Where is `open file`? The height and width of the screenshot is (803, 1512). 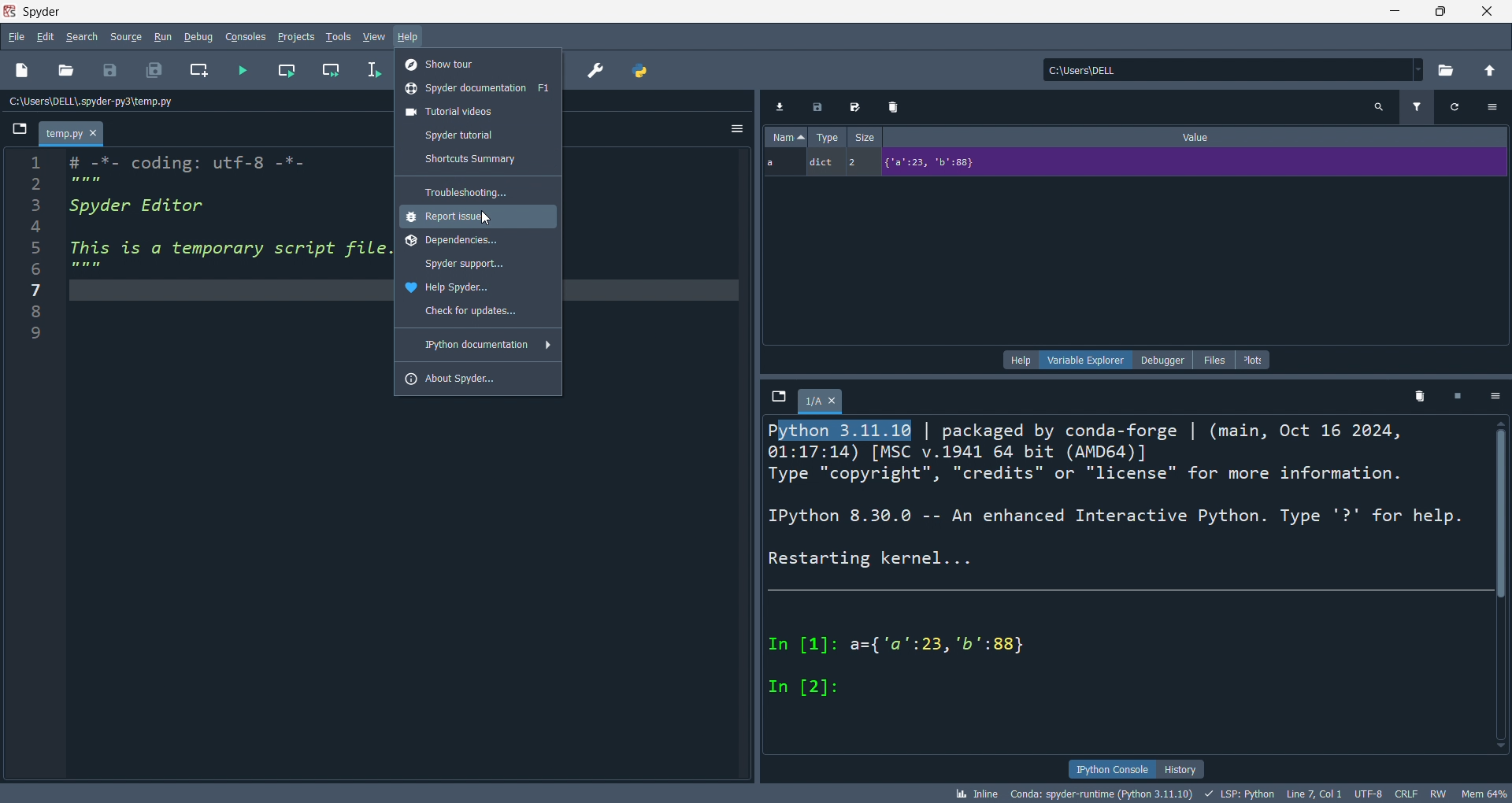
open file is located at coordinates (69, 73).